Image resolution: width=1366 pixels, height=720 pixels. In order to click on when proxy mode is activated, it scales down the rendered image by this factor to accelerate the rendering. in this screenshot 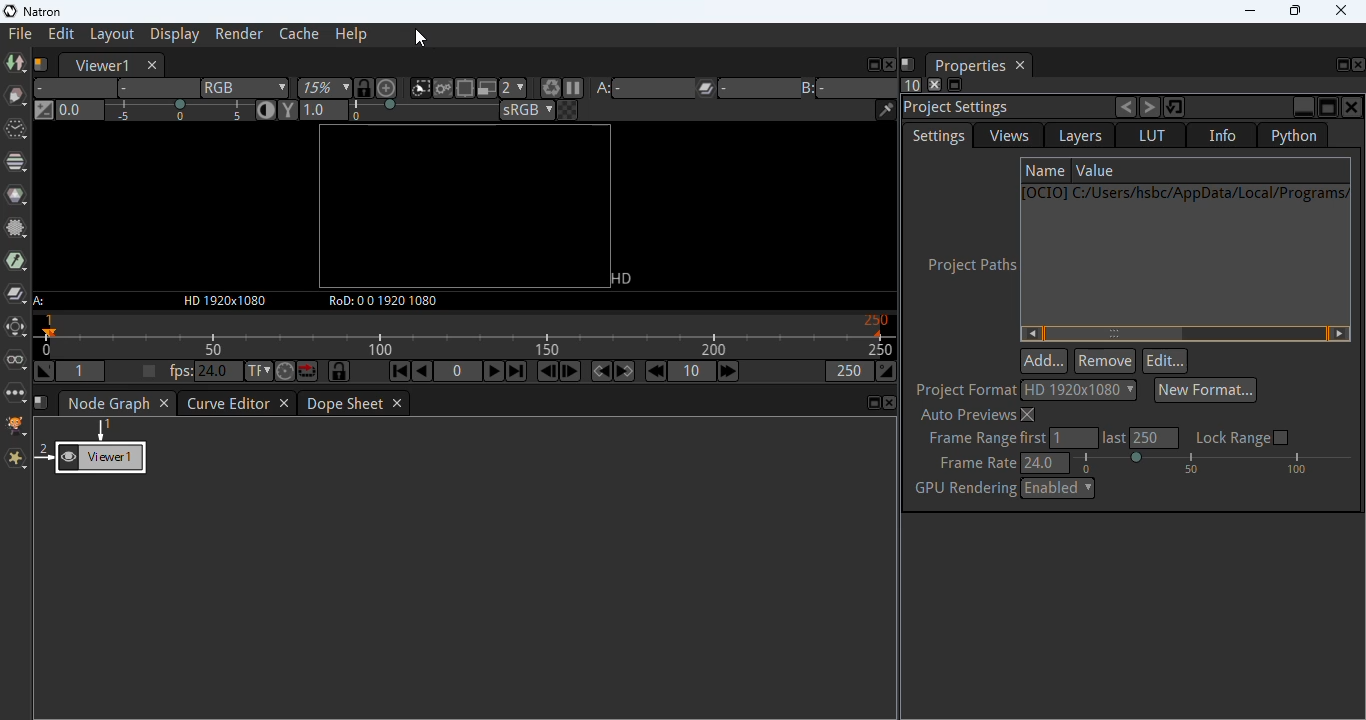, I will do `click(514, 87)`.